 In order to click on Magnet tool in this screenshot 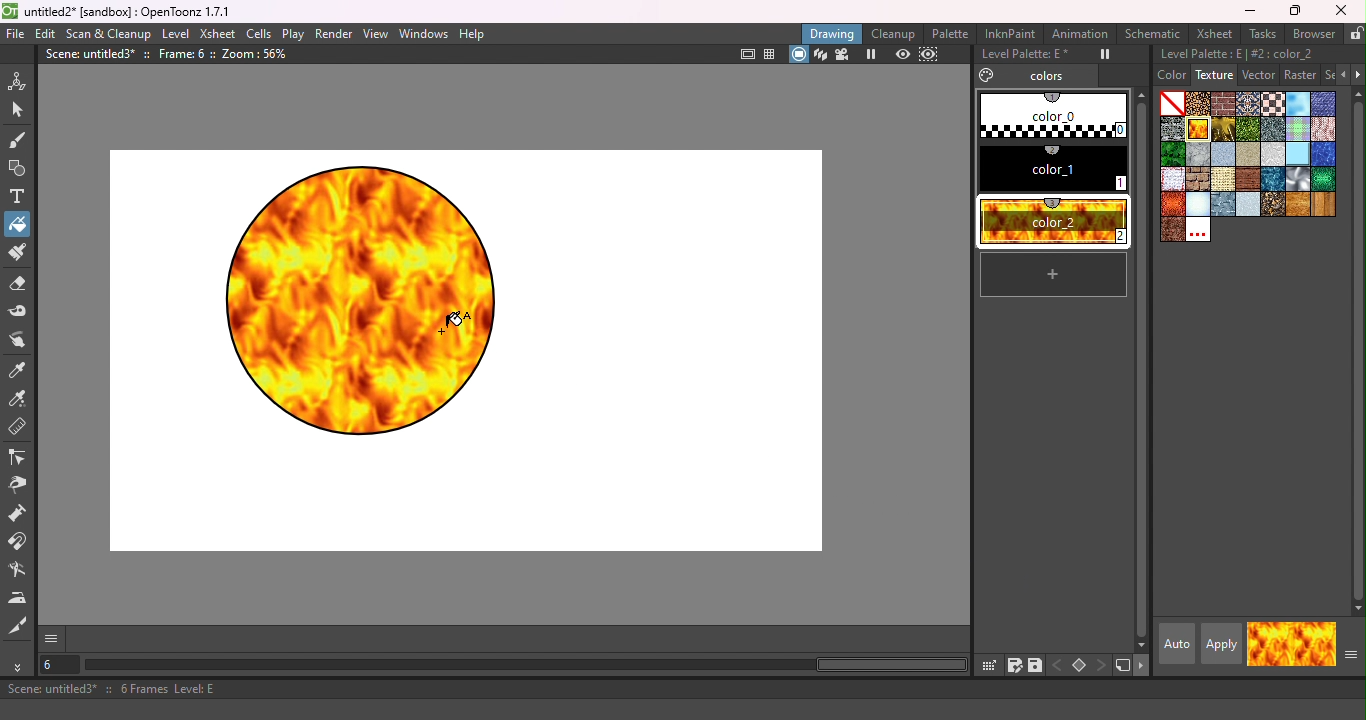, I will do `click(18, 543)`.